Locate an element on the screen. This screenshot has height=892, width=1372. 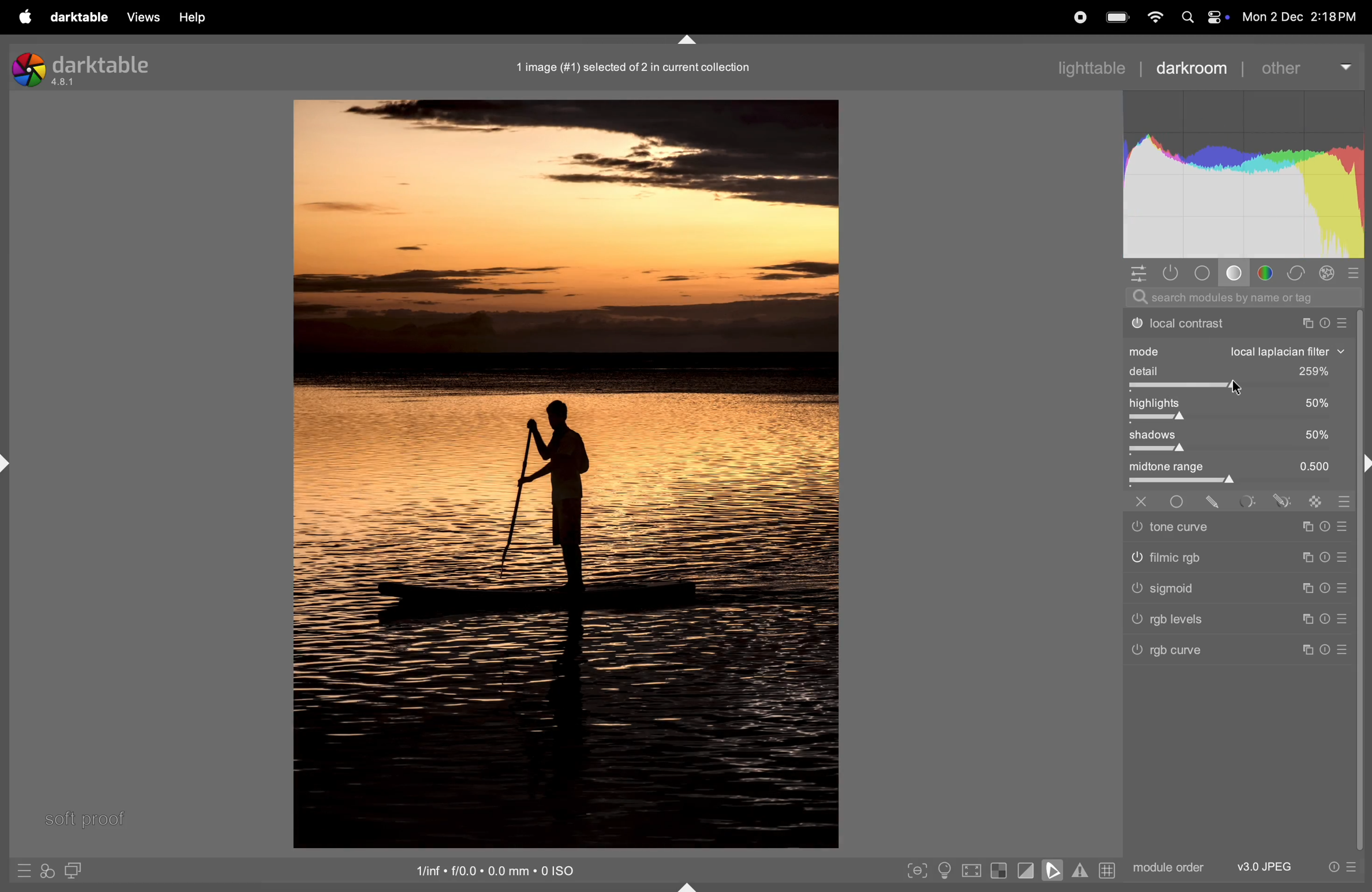
sign  is located at coordinates (1347, 527).